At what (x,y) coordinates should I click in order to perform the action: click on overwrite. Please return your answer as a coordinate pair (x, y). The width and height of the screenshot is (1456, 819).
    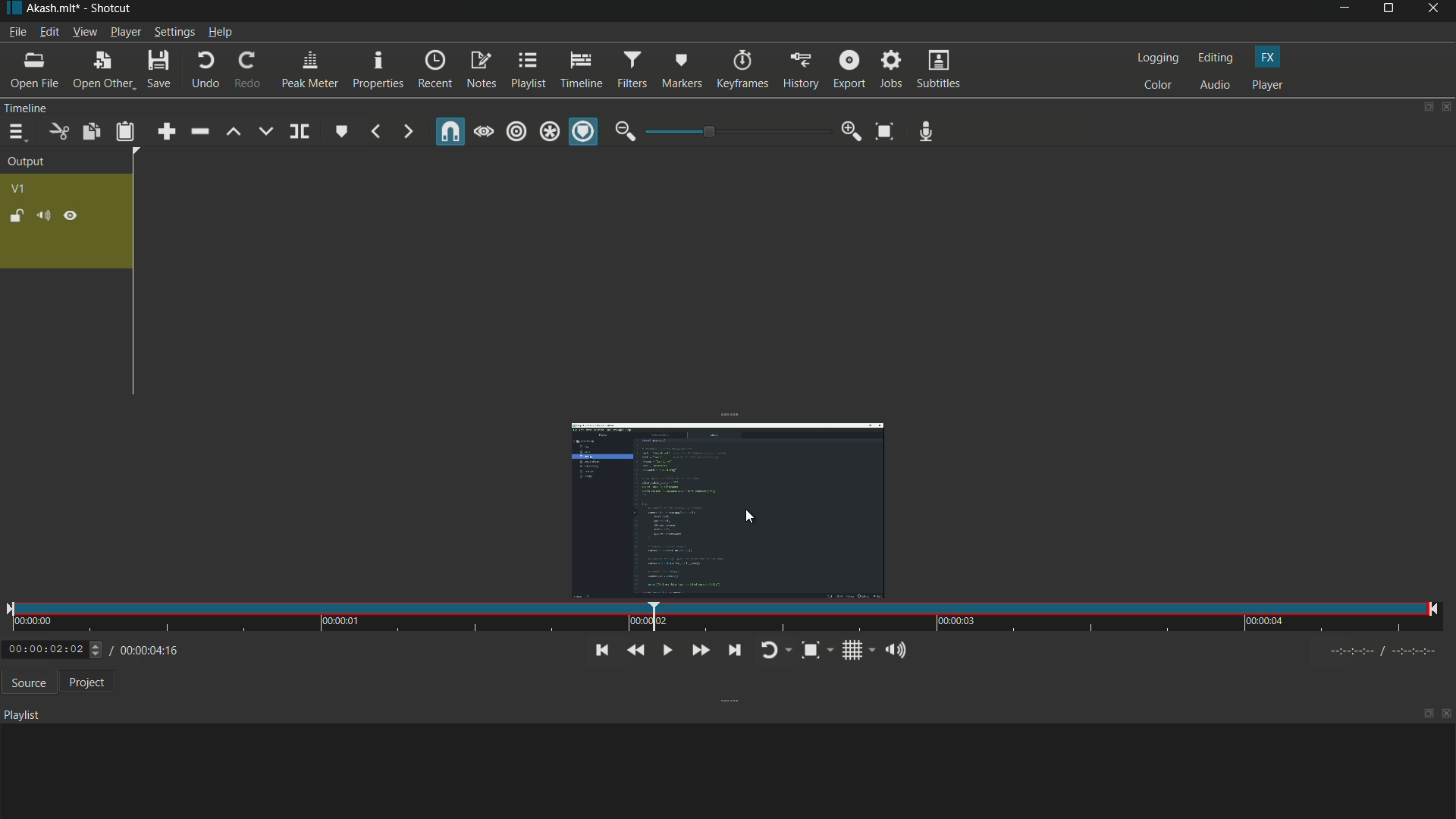
    Looking at the image, I should click on (266, 130).